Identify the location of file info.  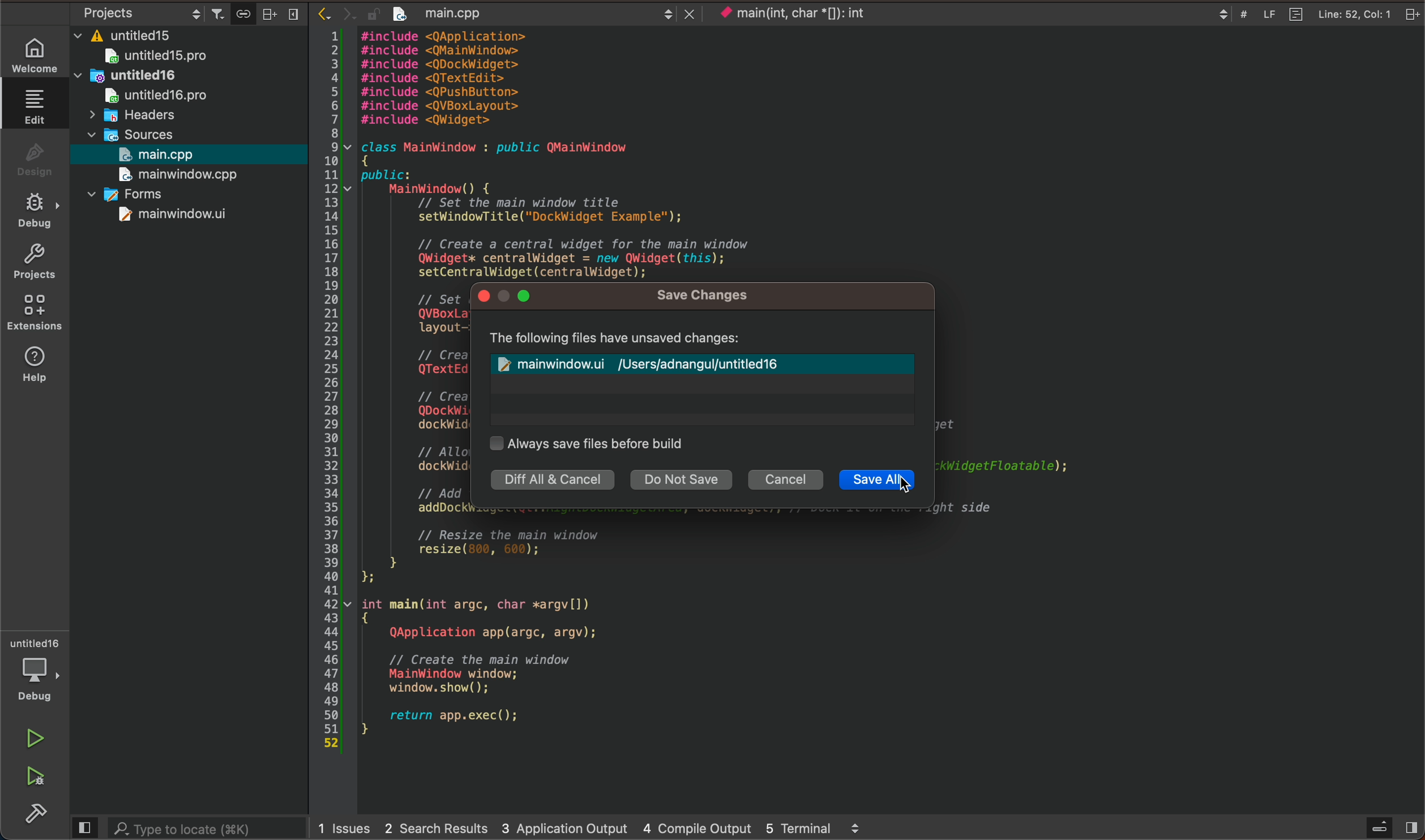
(1313, 14).